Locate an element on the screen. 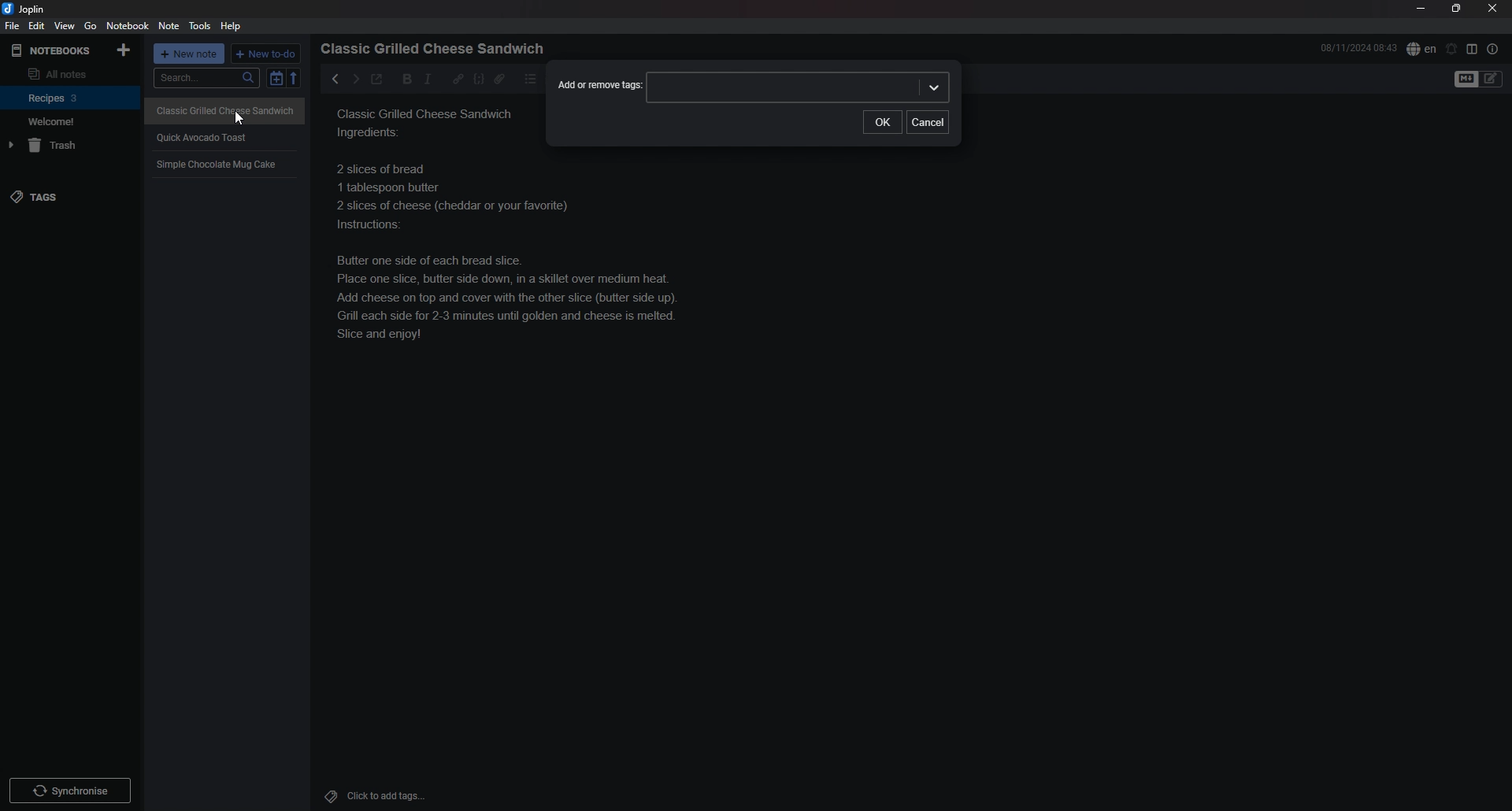 This screenshot has width=1512, height=811. search is located at coordinates (206, 78).